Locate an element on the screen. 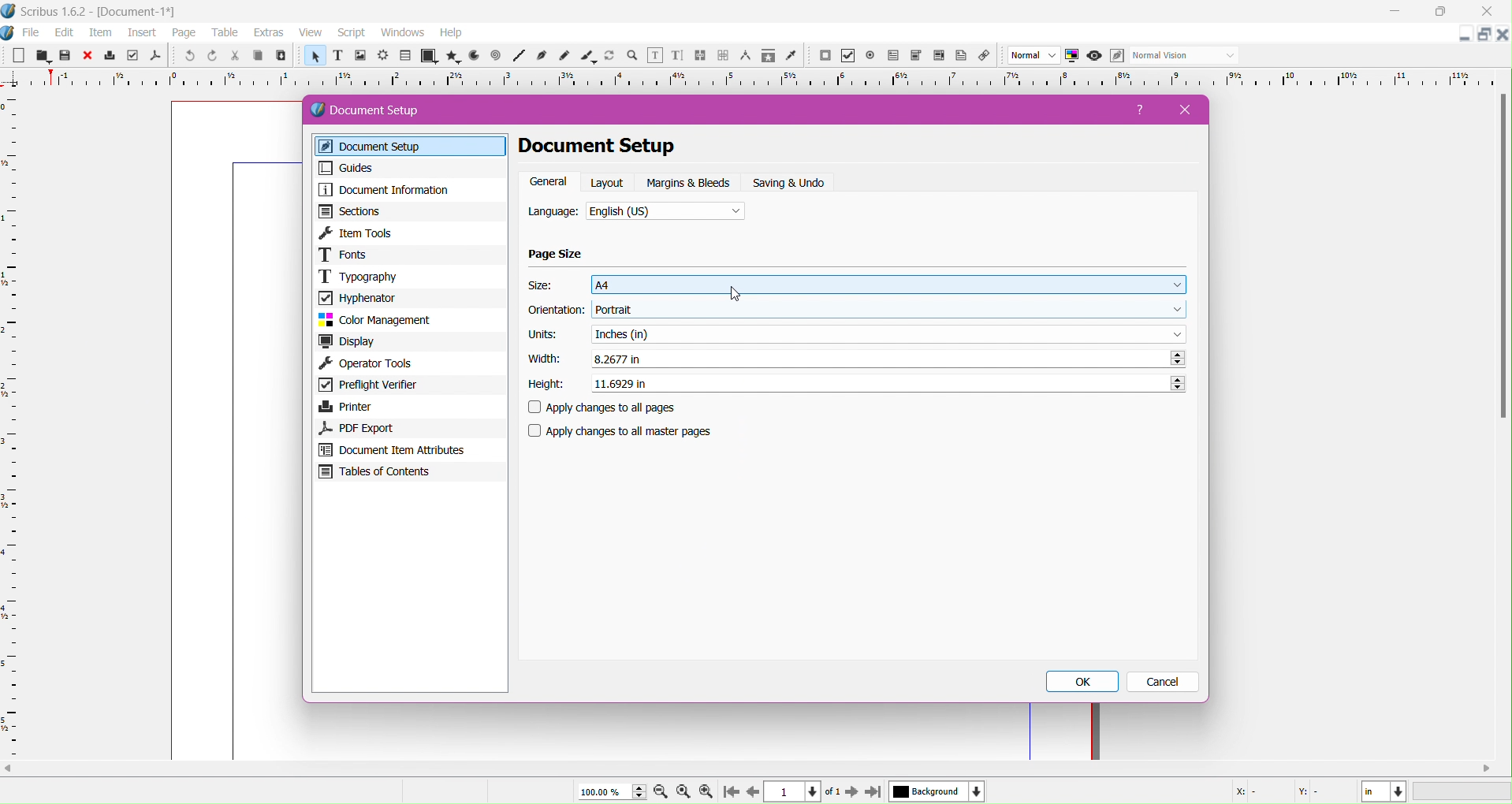  Size is located at coordinates (543, 285).